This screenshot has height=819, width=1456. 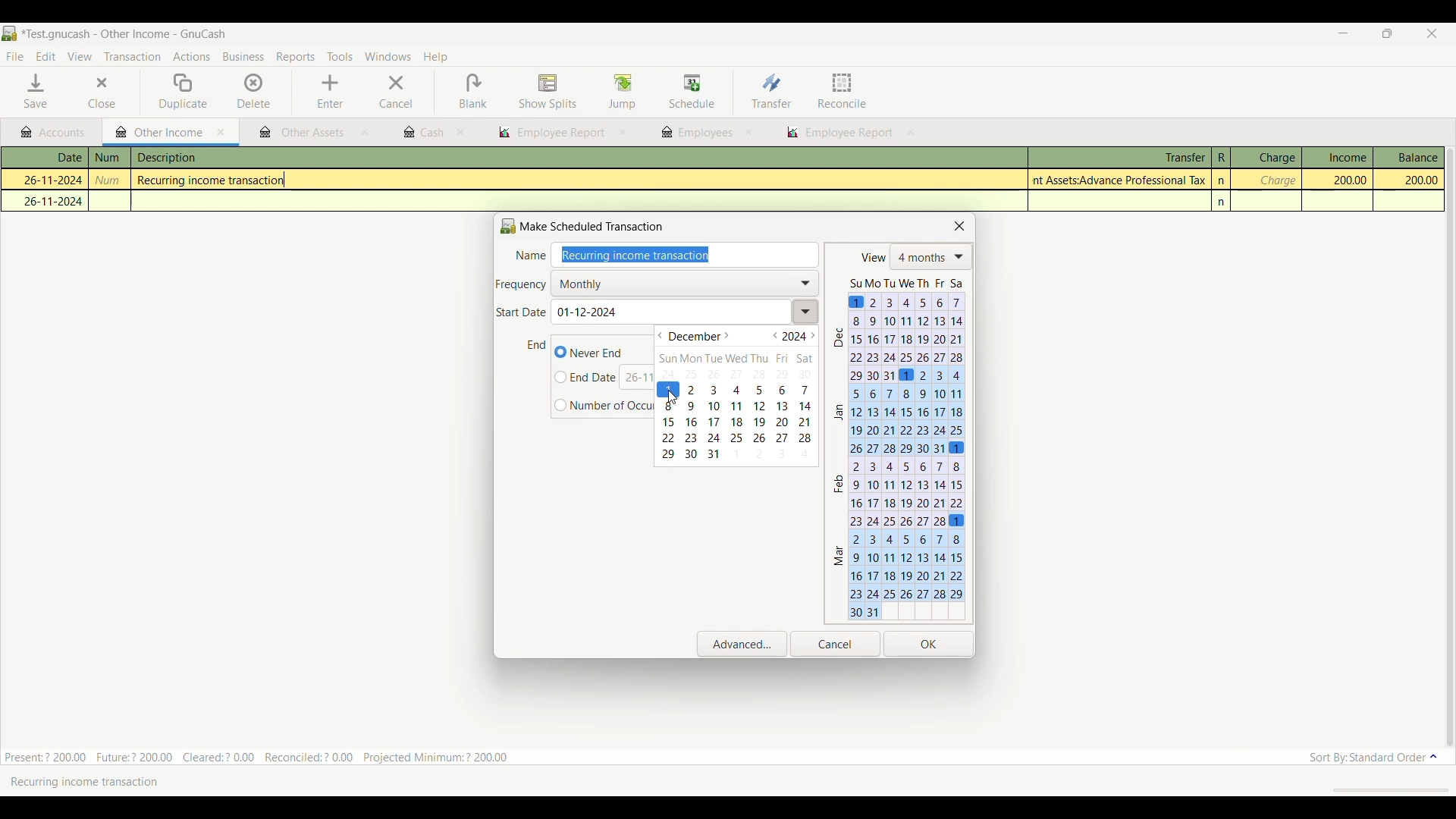 What do you see at coordinates (660, 336) in the screenshot?
I see `Go to previous month` at bounding box center [660, 336].